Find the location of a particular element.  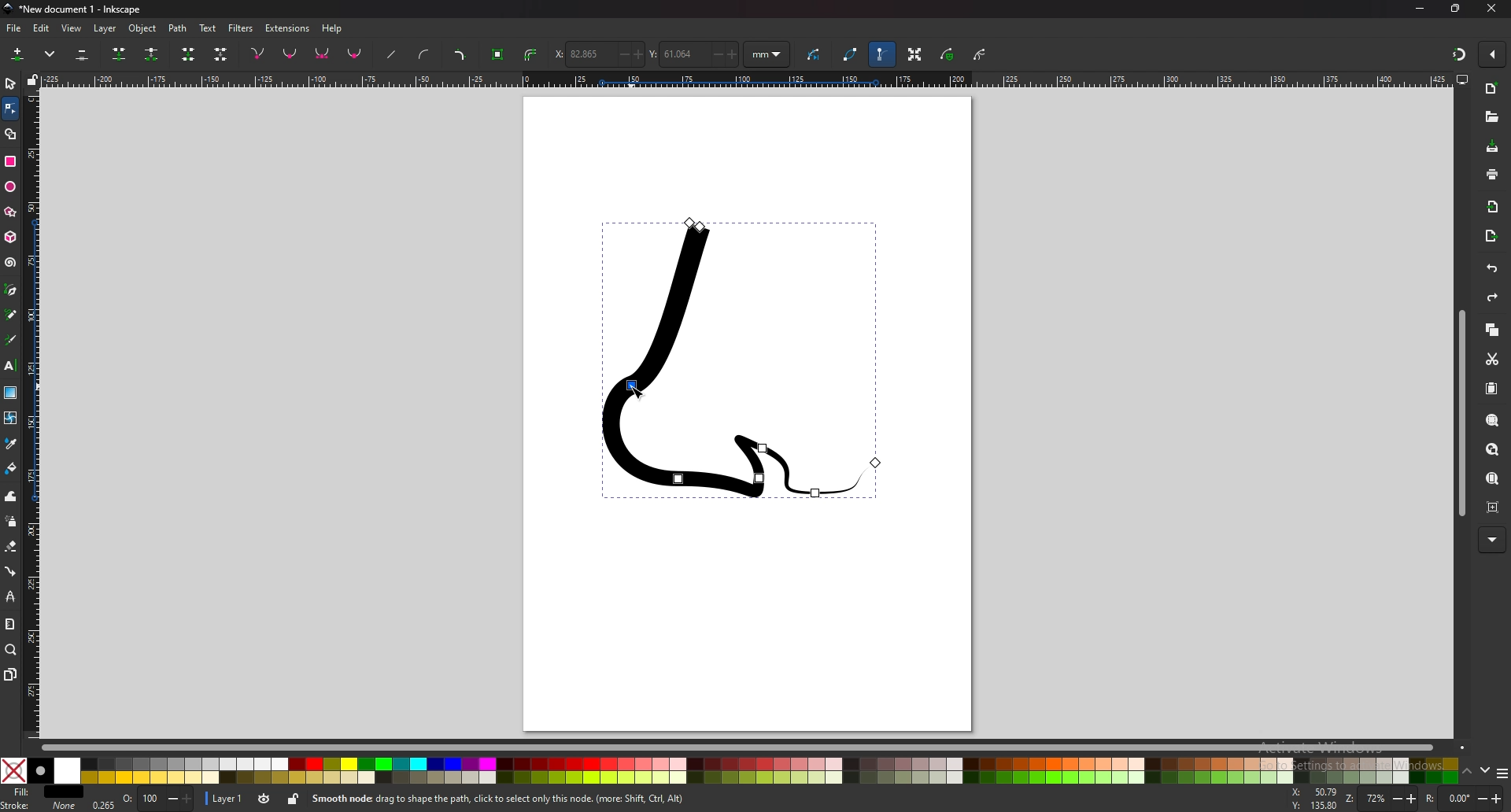

opacity is located at coordinates (145, 799).